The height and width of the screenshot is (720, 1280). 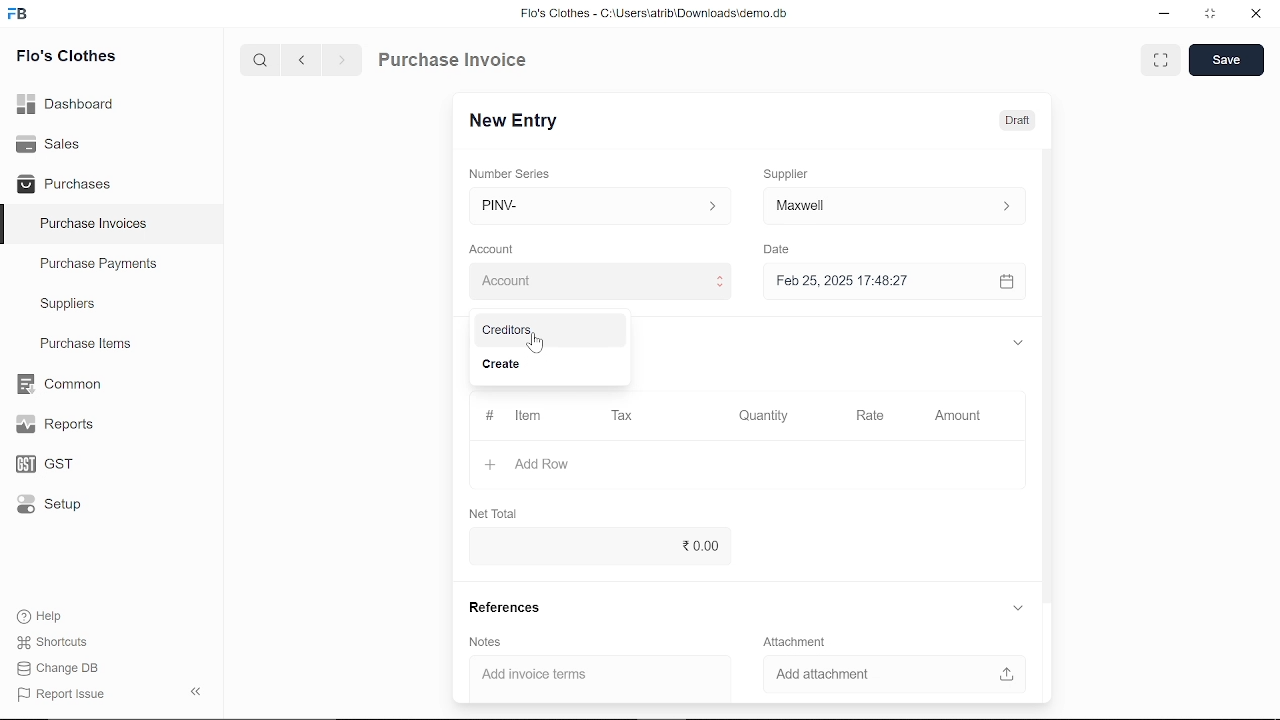 I want to click on Flo's Clothes - C:\Users\alrib\Downioads'cemo.db., so click(x=653, y=17).